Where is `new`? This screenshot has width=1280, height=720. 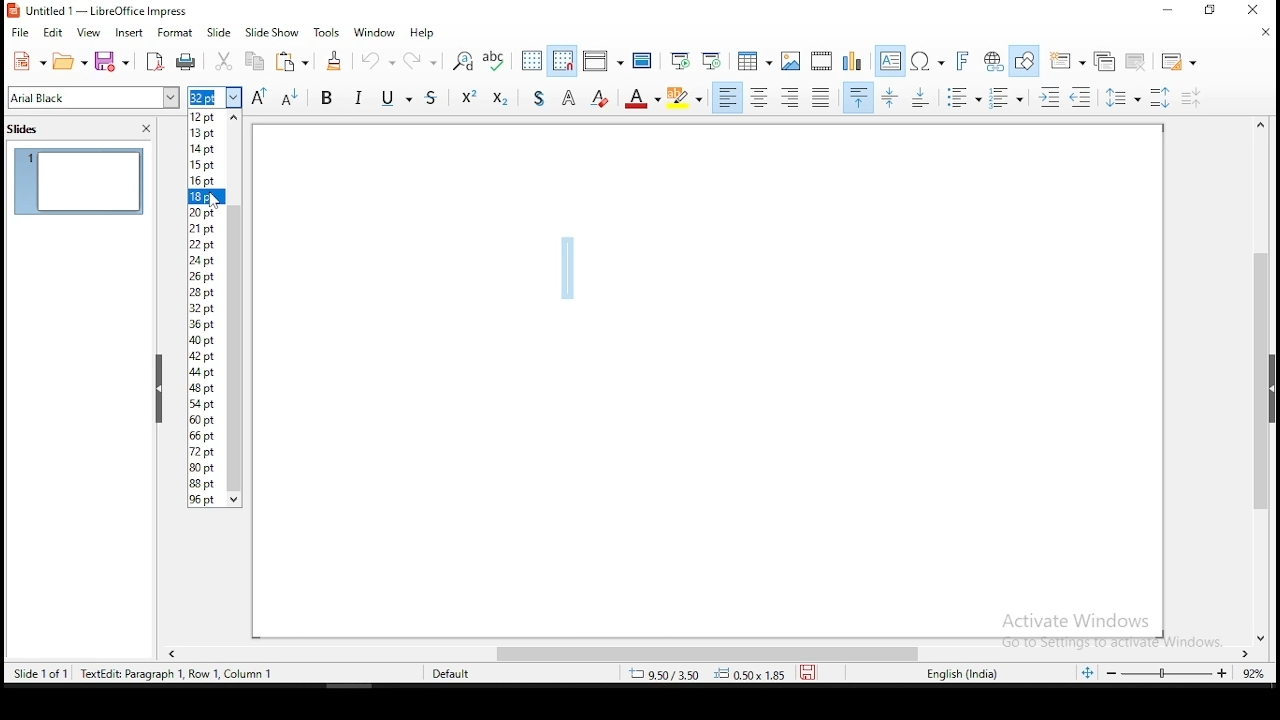
new is located at coordinates (28, 61).